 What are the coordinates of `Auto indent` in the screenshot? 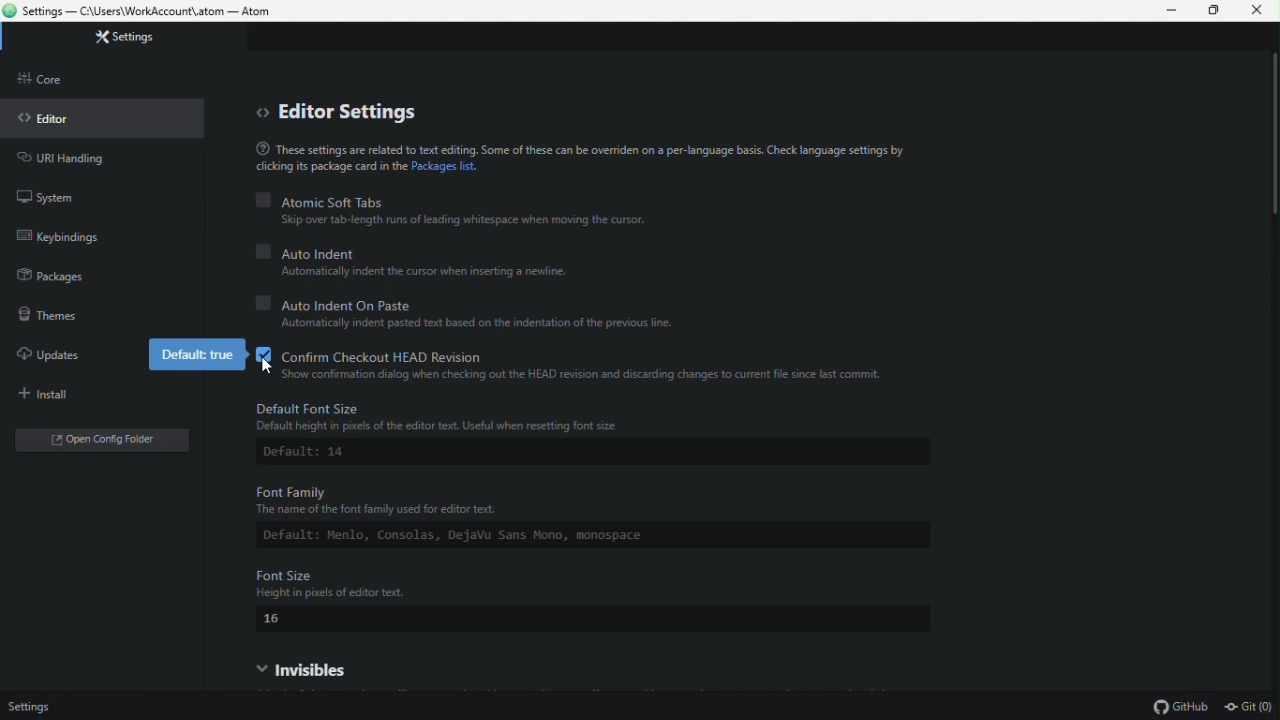 It's located at (417, 251).